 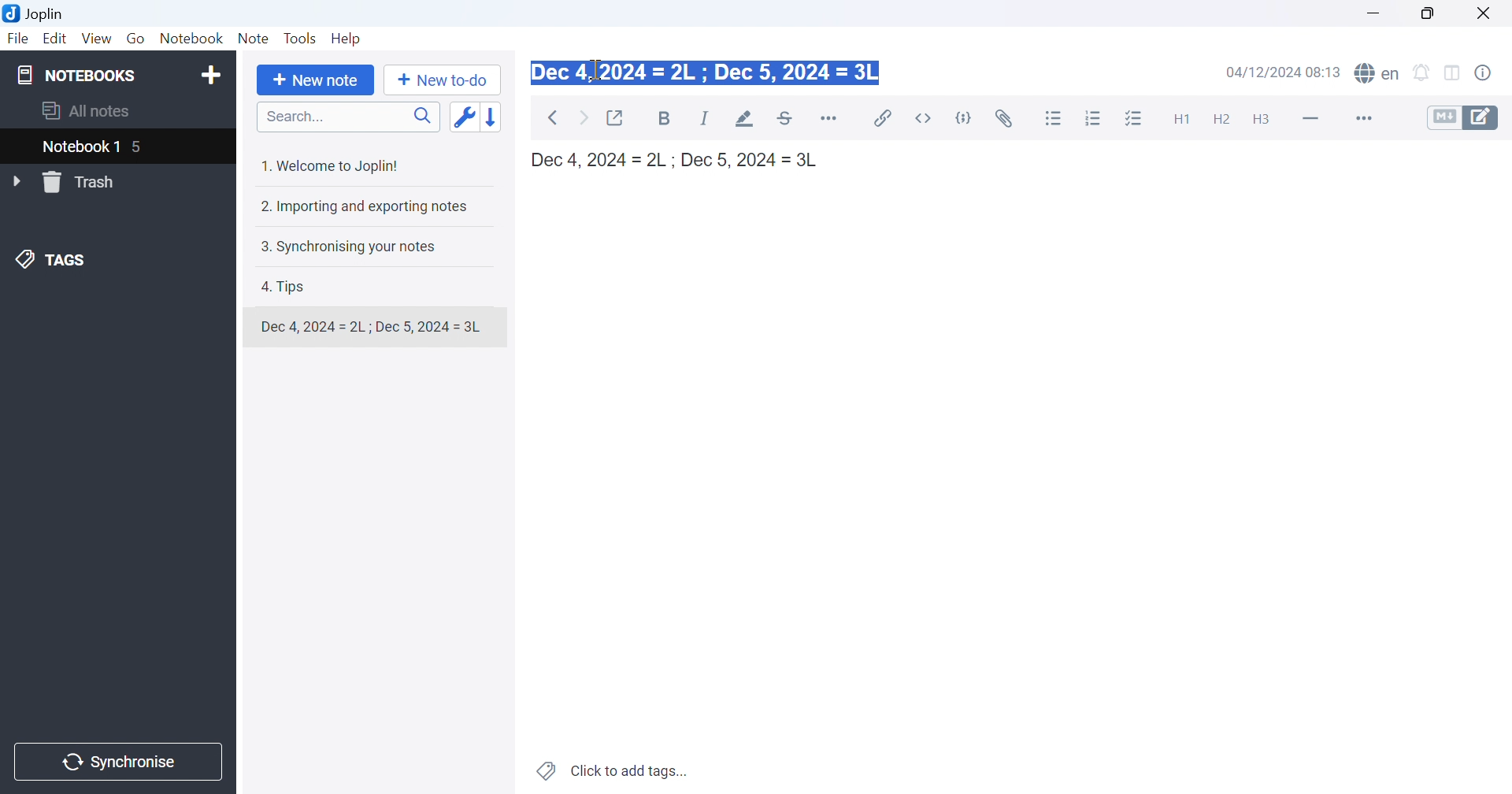 I want to click on Toggle editor layout, so click(x=1457, y=72).